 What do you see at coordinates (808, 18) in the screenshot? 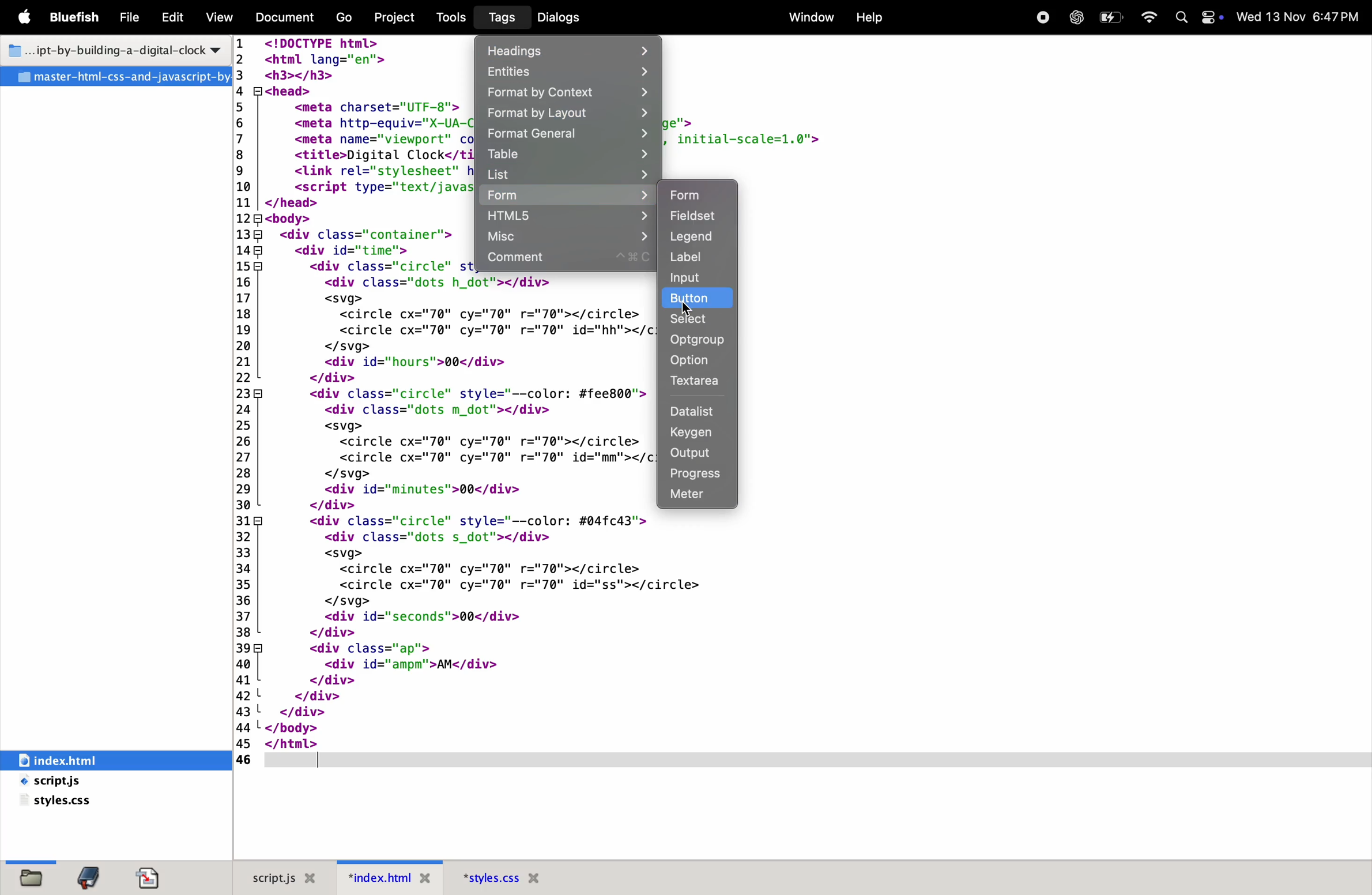
I see `window` at bounding box center [808, 18].